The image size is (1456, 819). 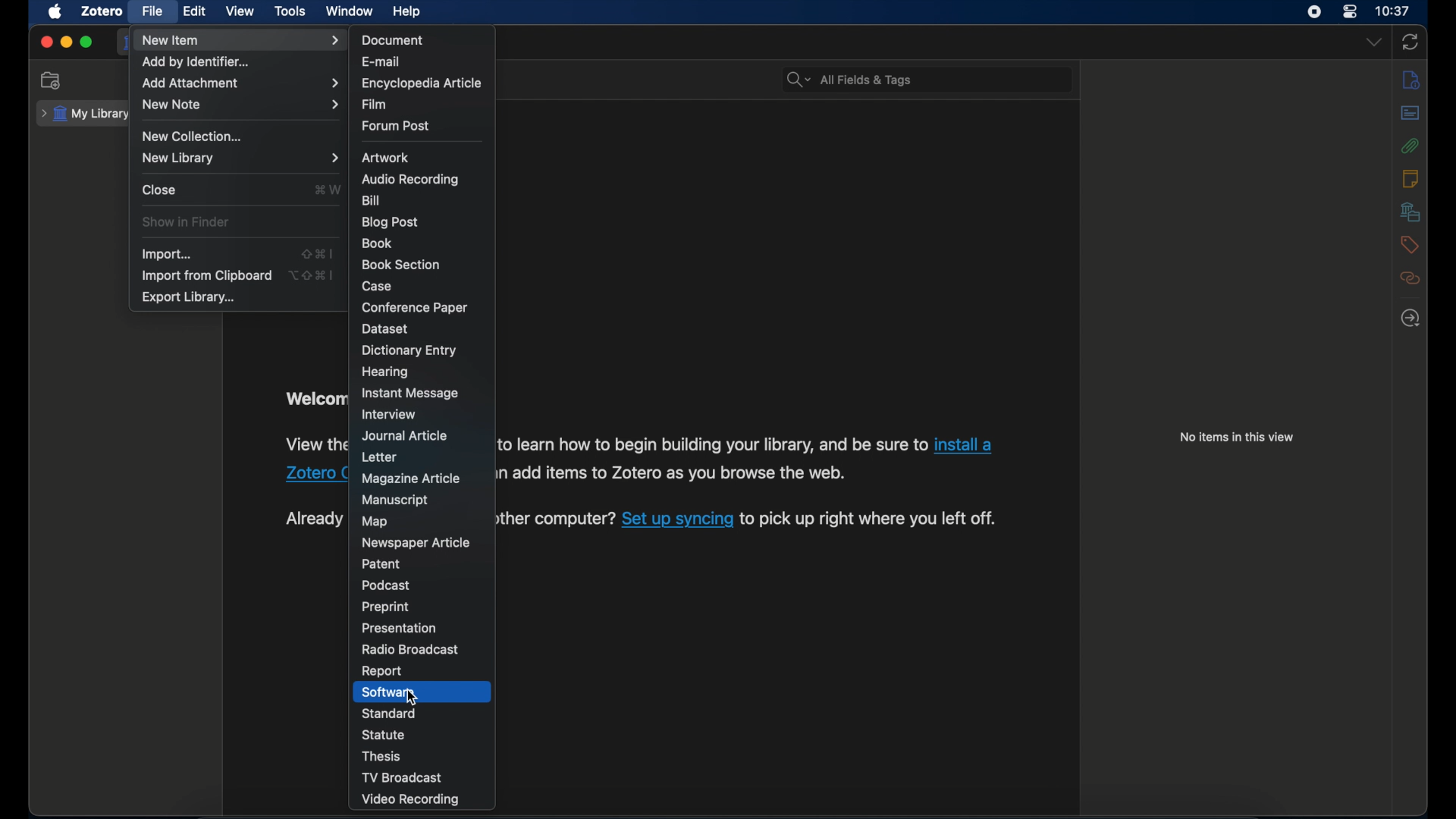 What do you see at coordinates (206, 275) in the screenshot?
I see `import from clipboard` at bounding box center [206, 275].